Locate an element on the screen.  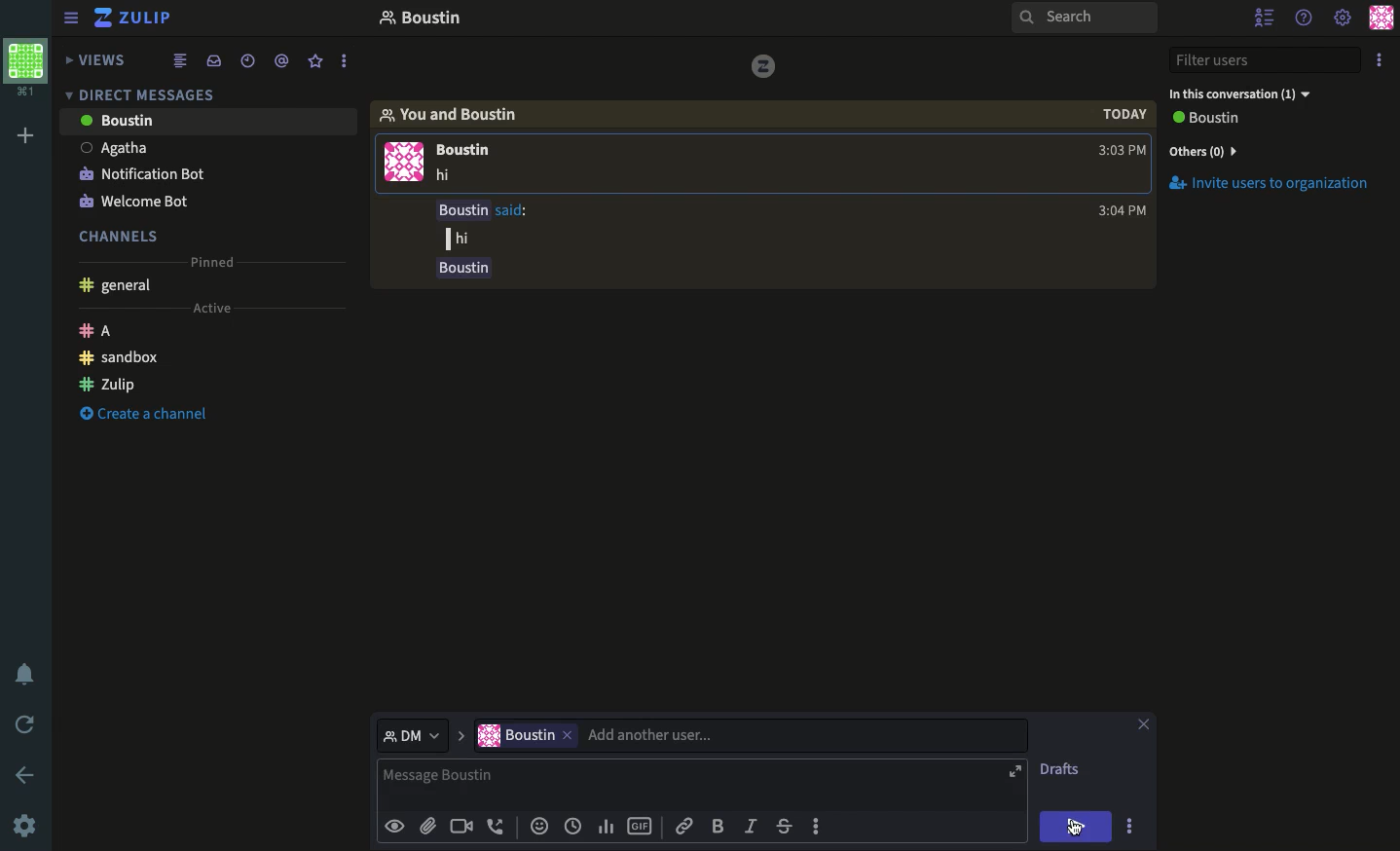
Time is located at coordinates (573, 826).